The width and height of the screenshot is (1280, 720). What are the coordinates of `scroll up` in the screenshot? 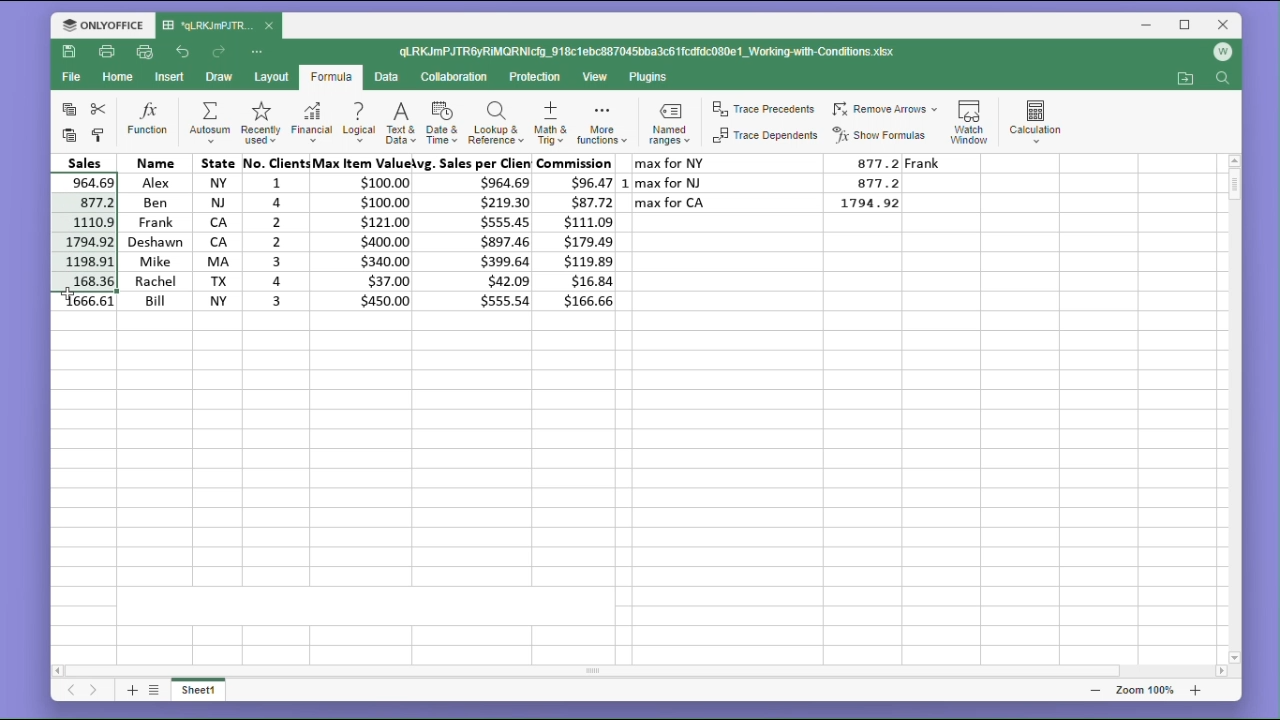 It's located at (1234, 160).